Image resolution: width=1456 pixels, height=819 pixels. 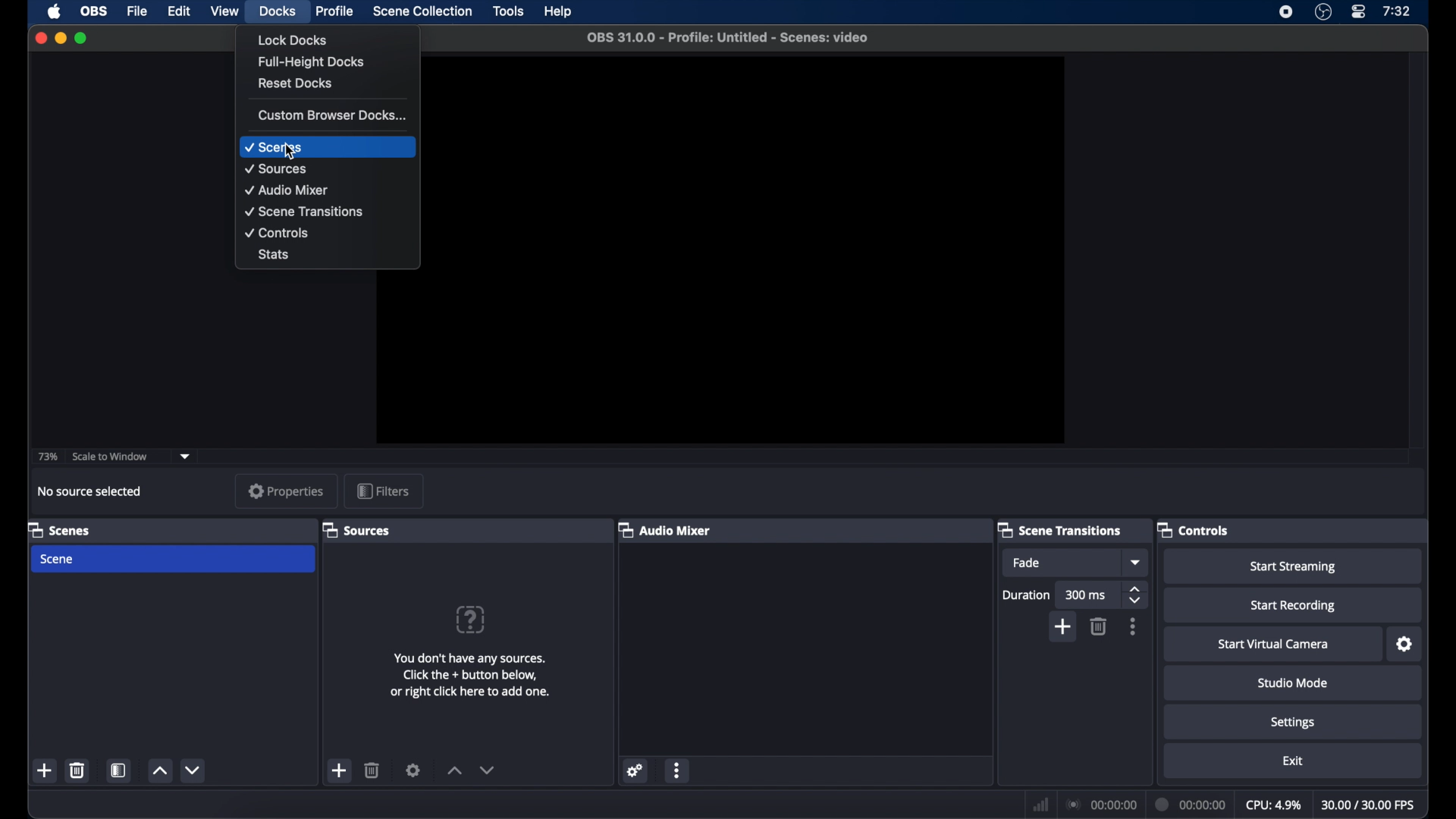 What do you see at coordinates (372, 770) in the screenshot?
I see `delete` at bounding box center [372, 770].